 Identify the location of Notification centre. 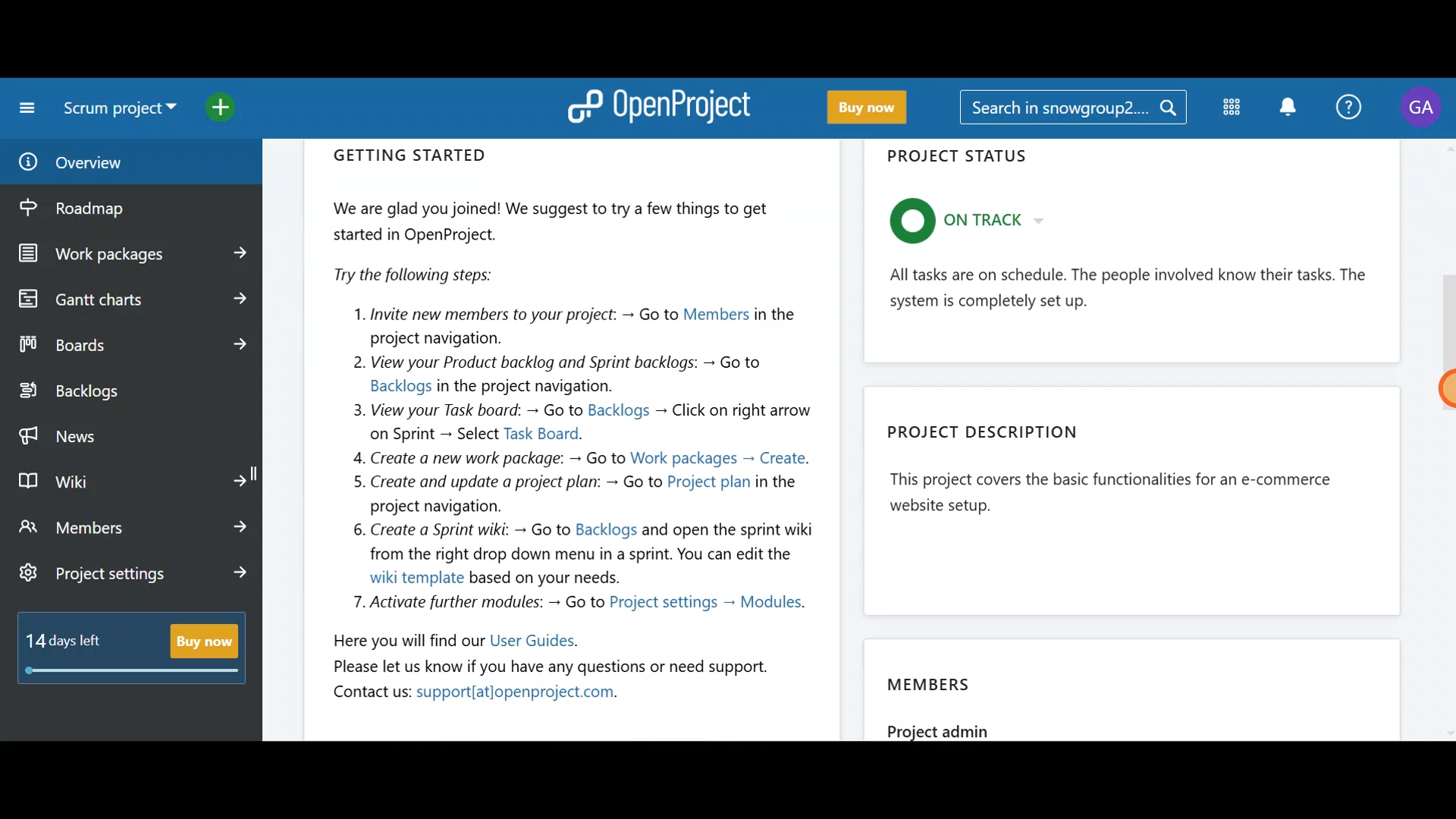
(1284, 106).